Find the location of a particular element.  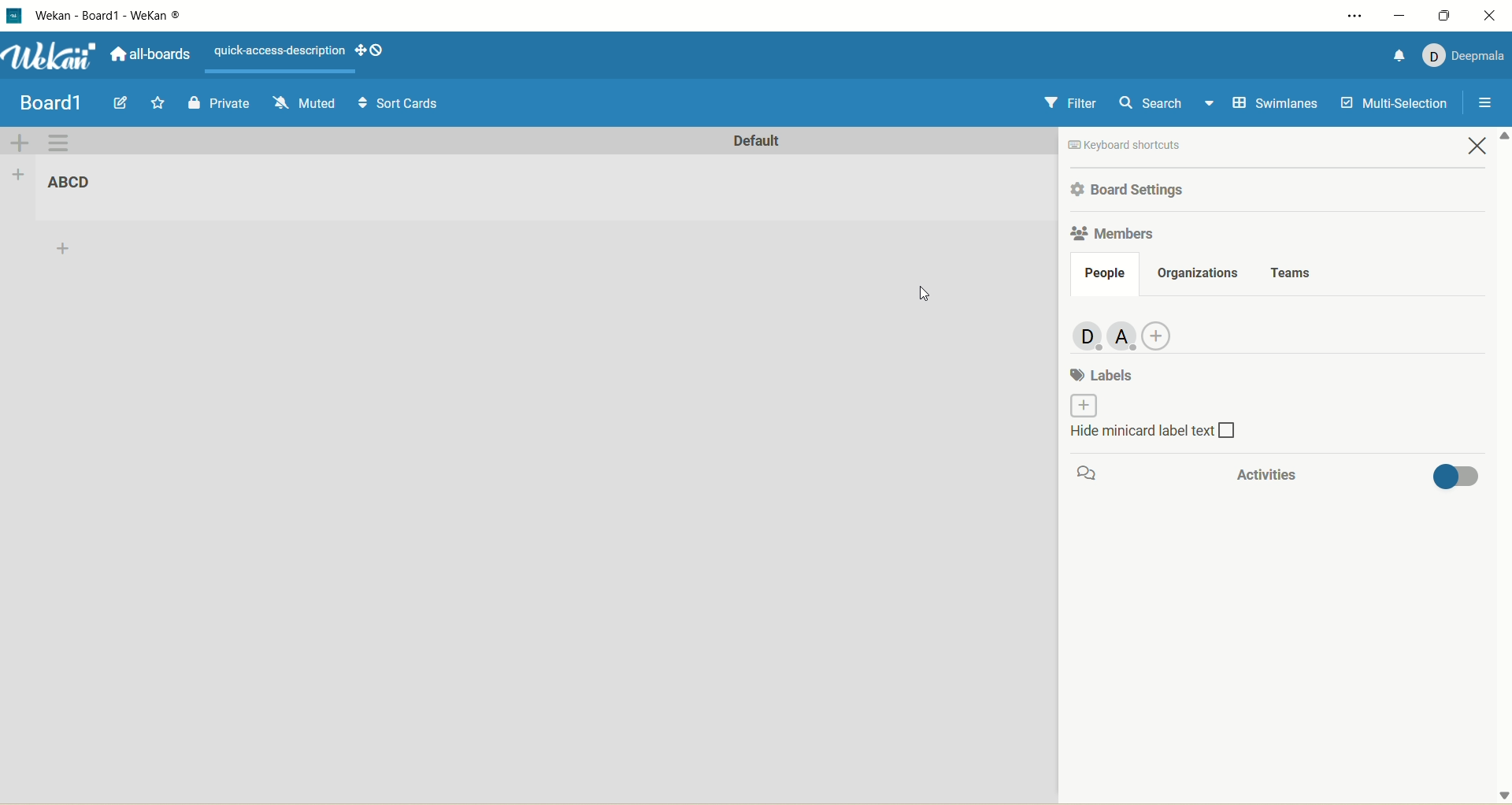

search is located at coordinates (1165, 105).